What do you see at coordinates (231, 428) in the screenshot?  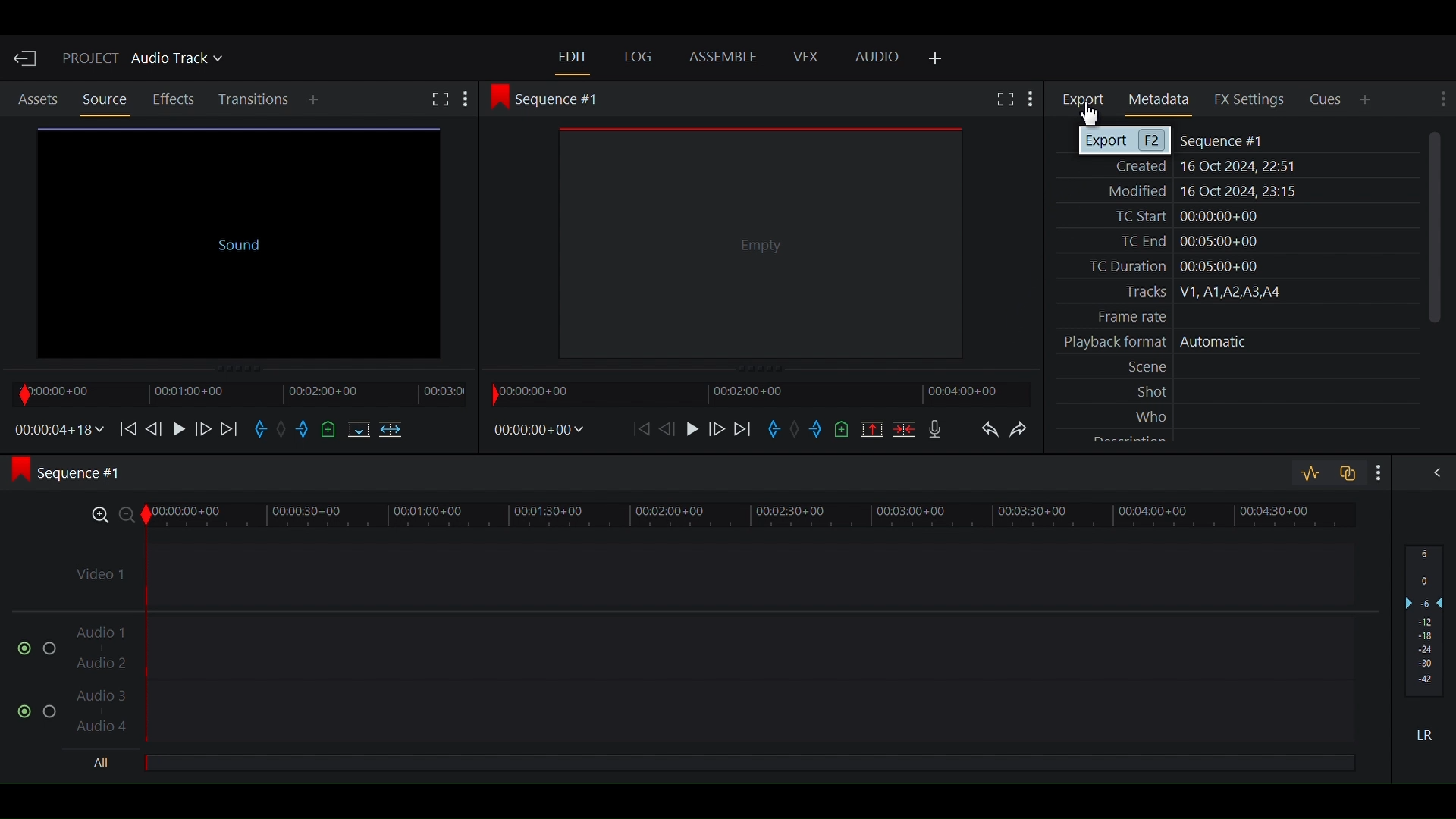 I see `Move Forward` at bounding box center [231, 428].